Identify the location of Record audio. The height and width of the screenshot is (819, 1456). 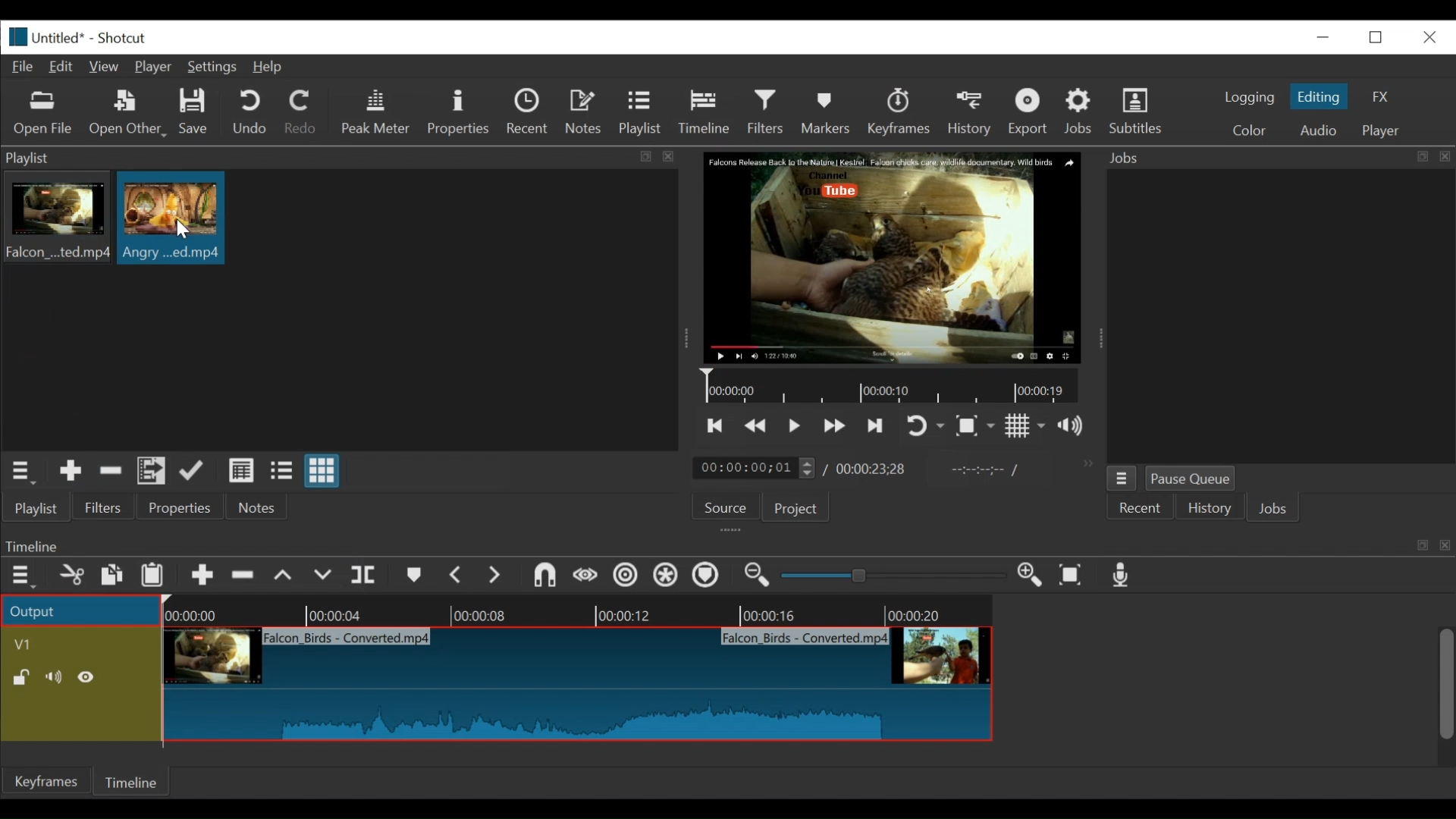
(1122, 579).